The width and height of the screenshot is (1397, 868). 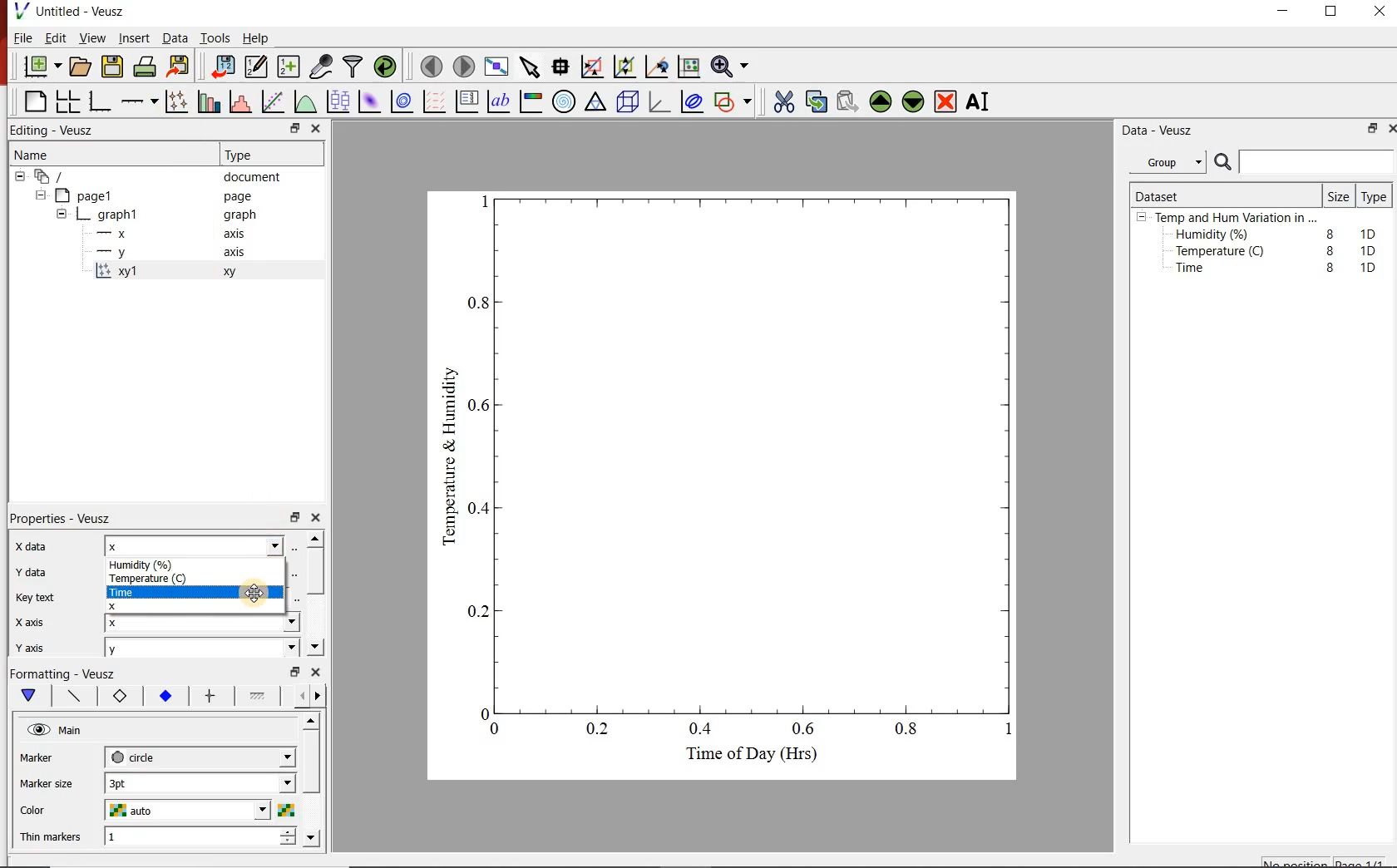 What do you see at coordinates (1372, 232) in the screenshot?
I see `1D` at bounding box center [1372, 232].